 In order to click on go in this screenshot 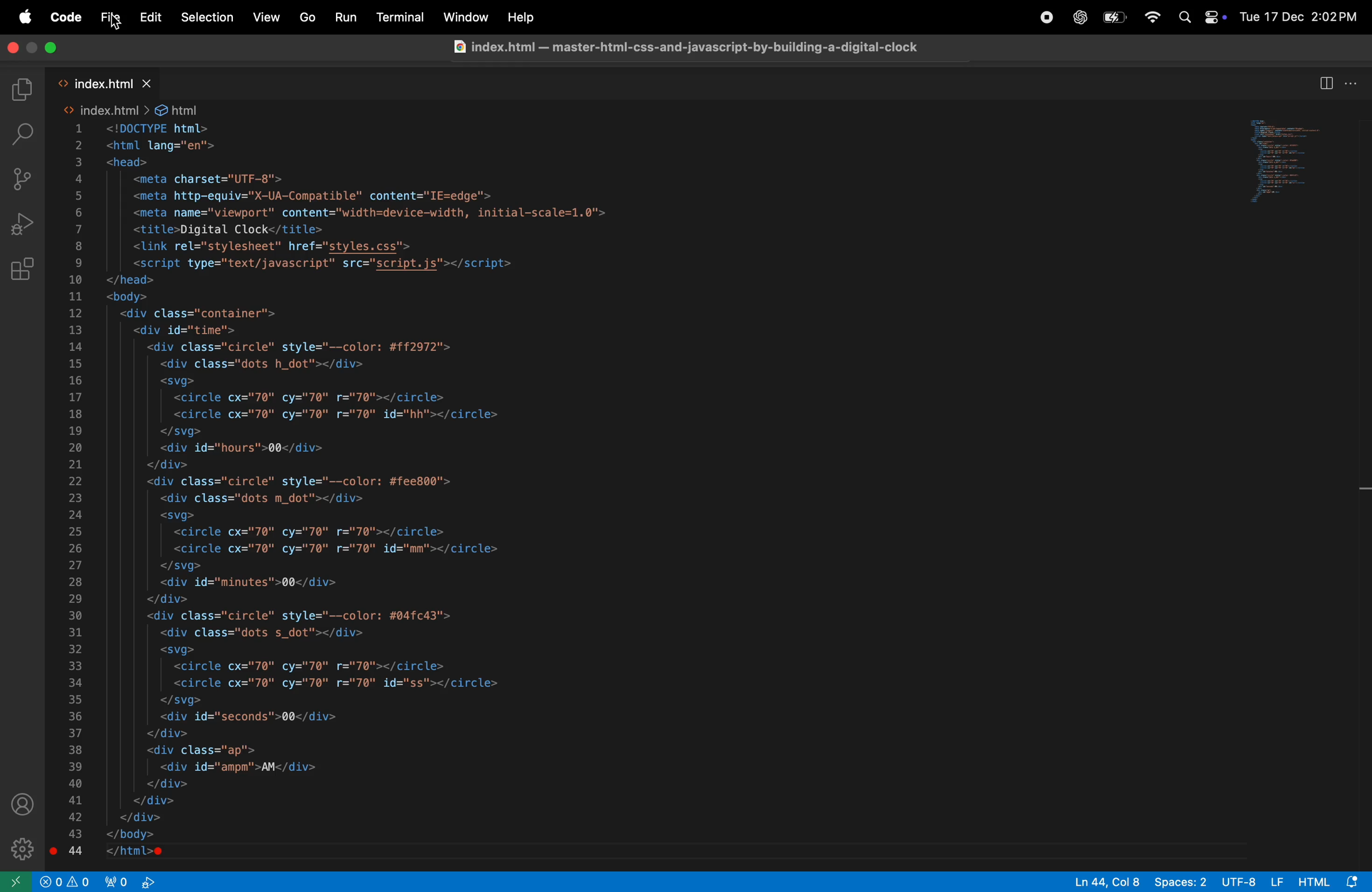, I will do `click(309, 18)`.